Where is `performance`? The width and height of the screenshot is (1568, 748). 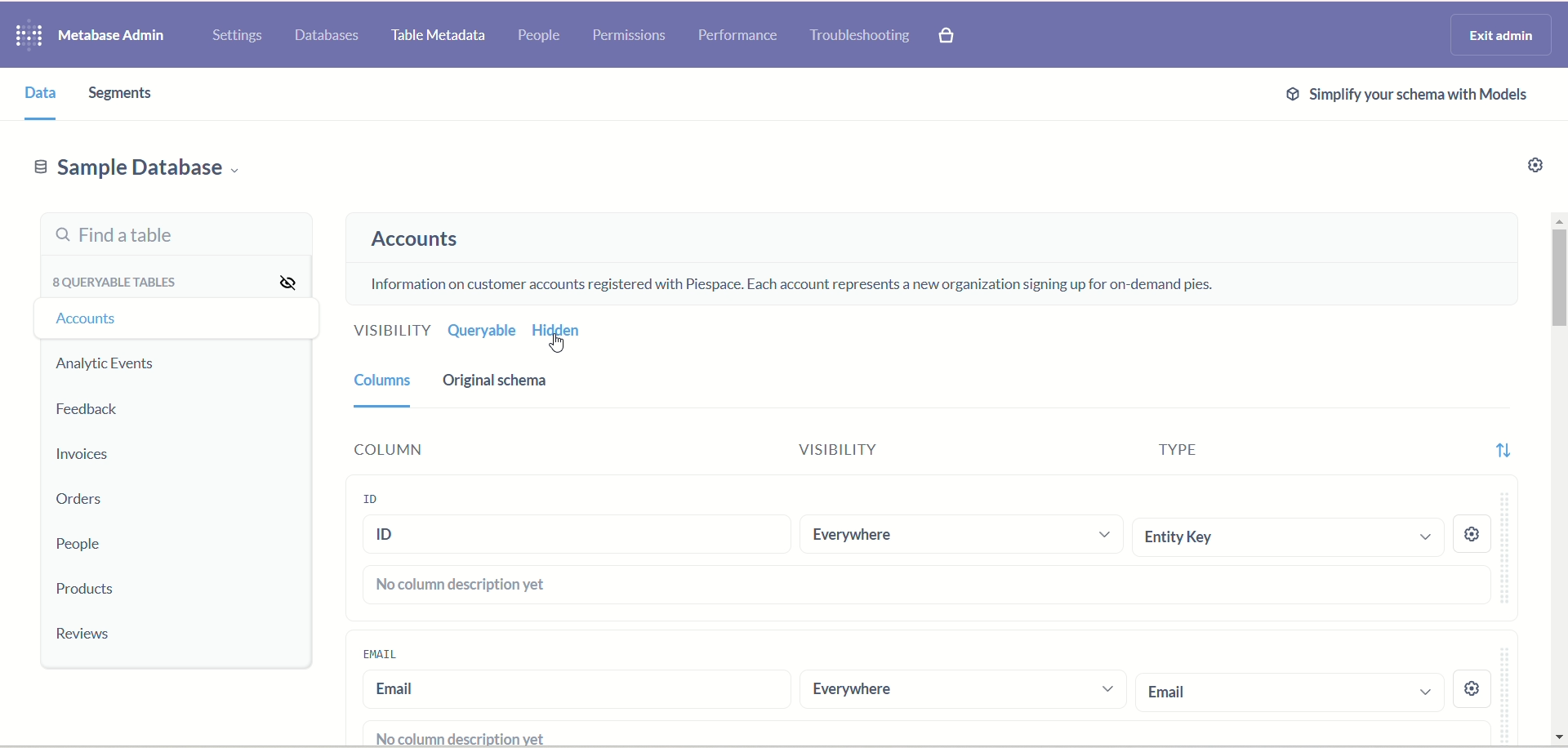
performance is located at coordinates (737, 38).